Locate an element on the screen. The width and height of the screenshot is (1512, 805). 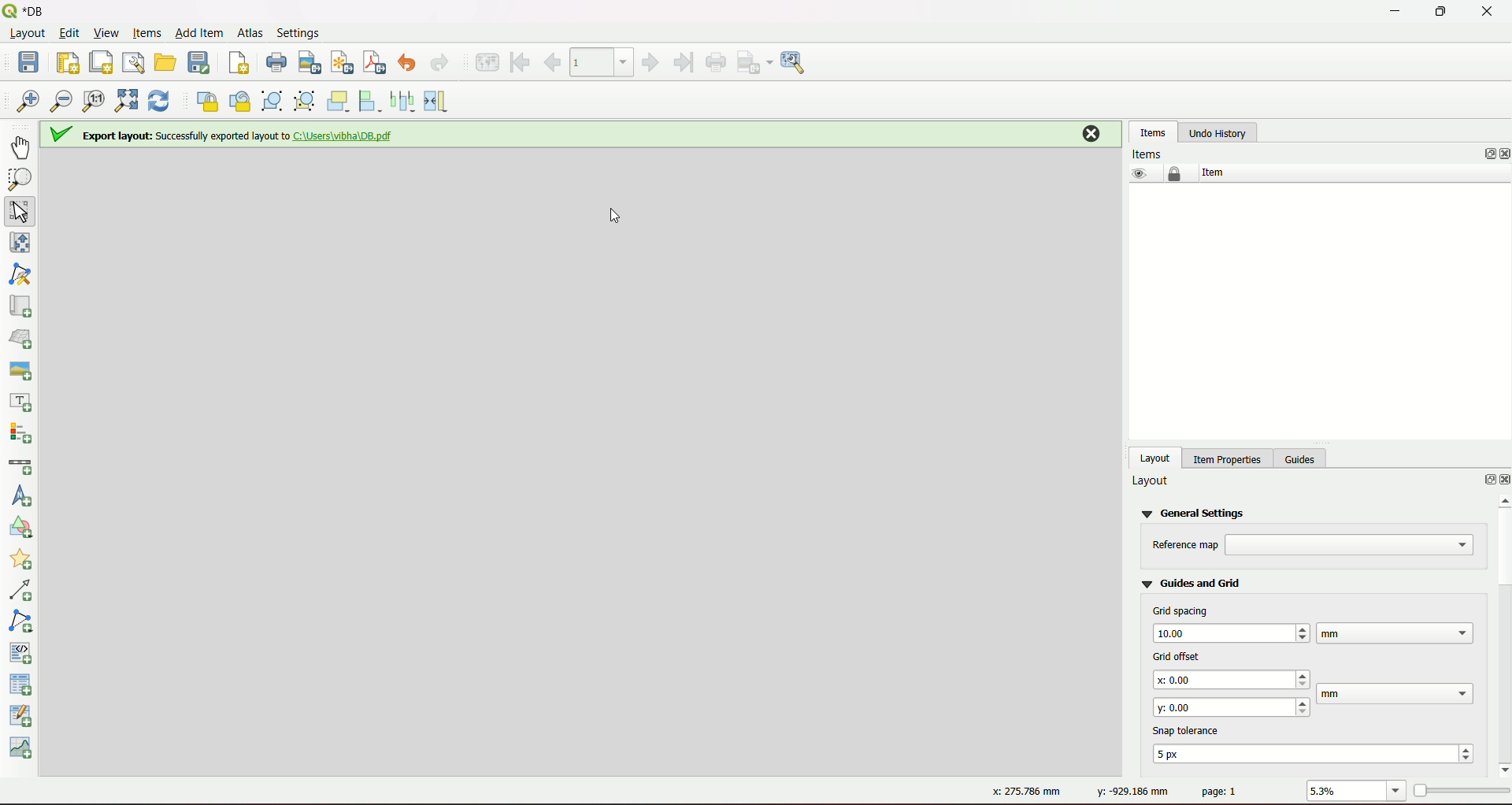
pan layout is located at coordinates (22, 147).